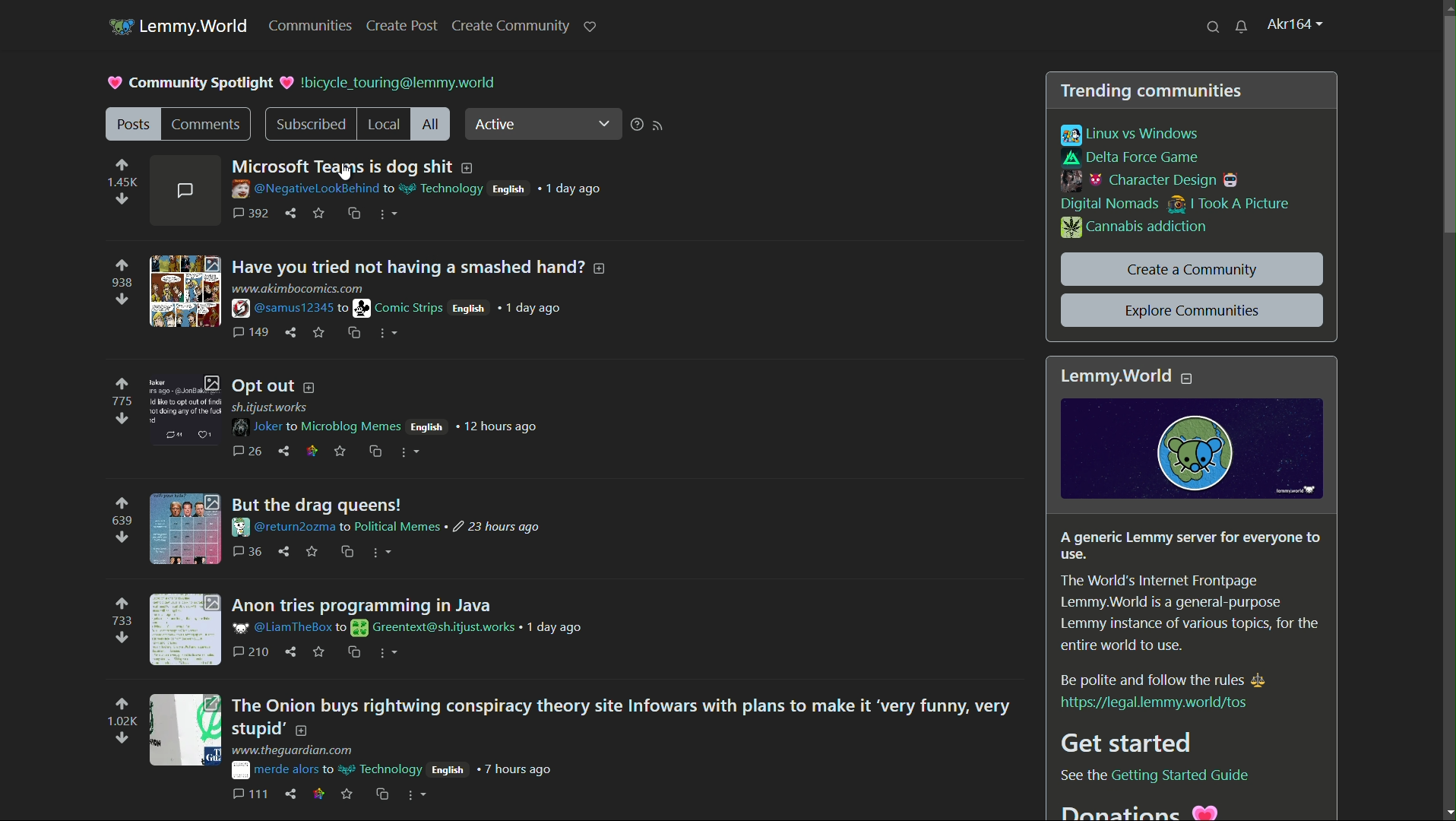 The width and height of the screenshot is (1456, 821). I want to click on create a community, so click(1194, 269).